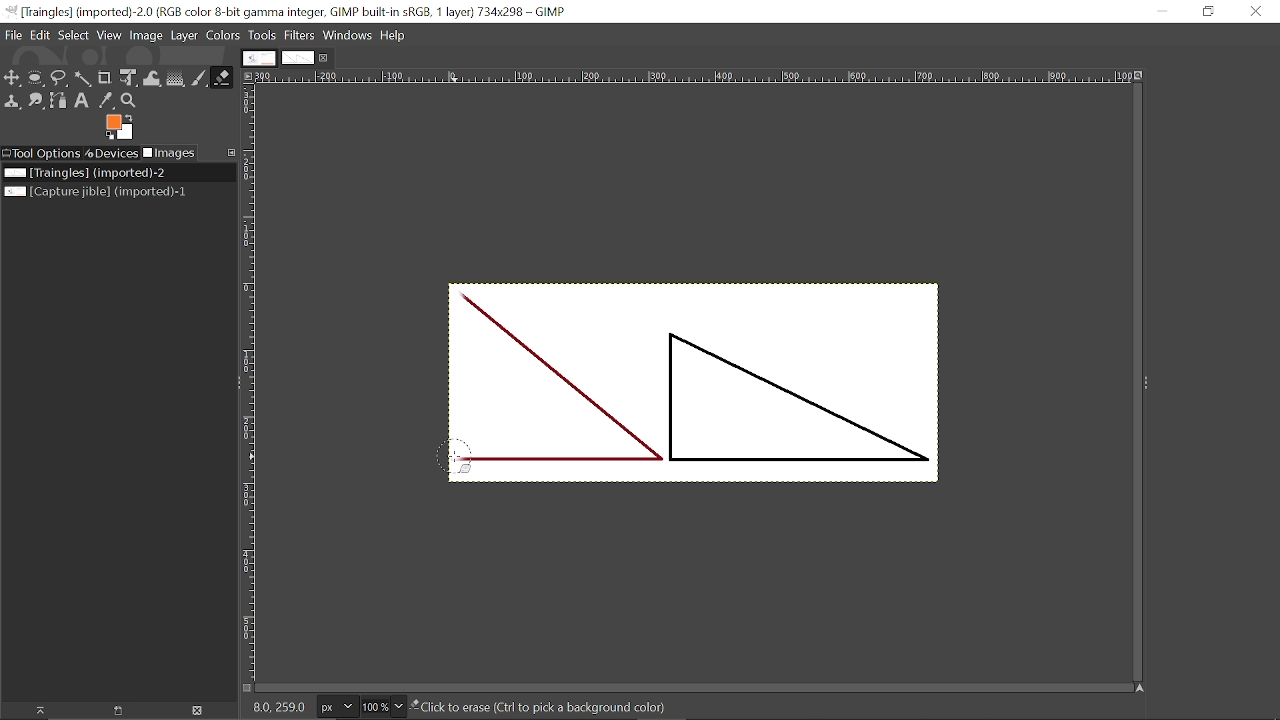  I want to click on Layer, so click(184, 37).